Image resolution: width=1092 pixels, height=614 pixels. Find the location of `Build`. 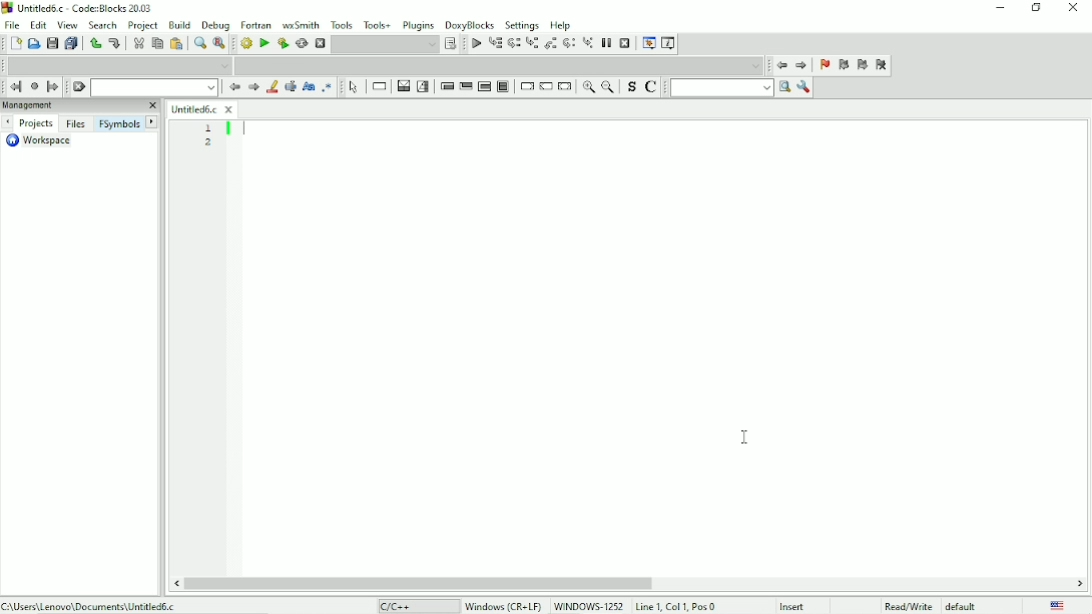

Build is located at coordinates (246, 44).